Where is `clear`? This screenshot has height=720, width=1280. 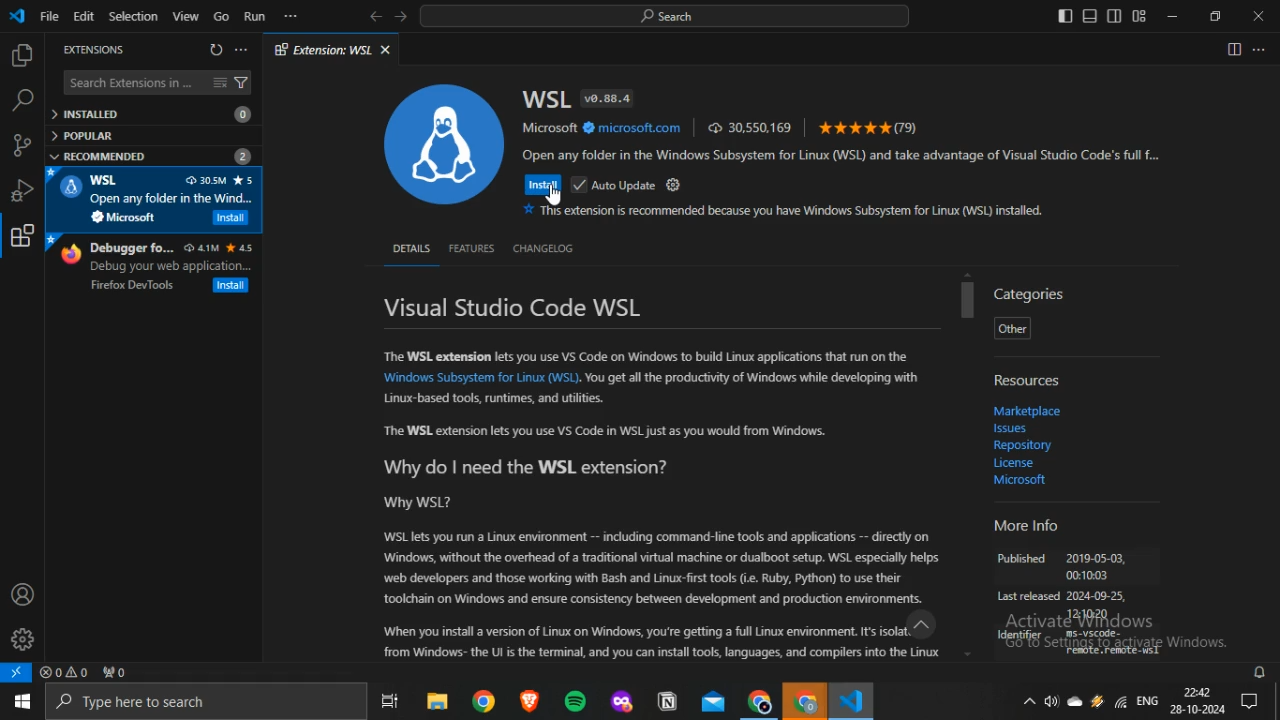
clear is located at coordinates (219, 82).